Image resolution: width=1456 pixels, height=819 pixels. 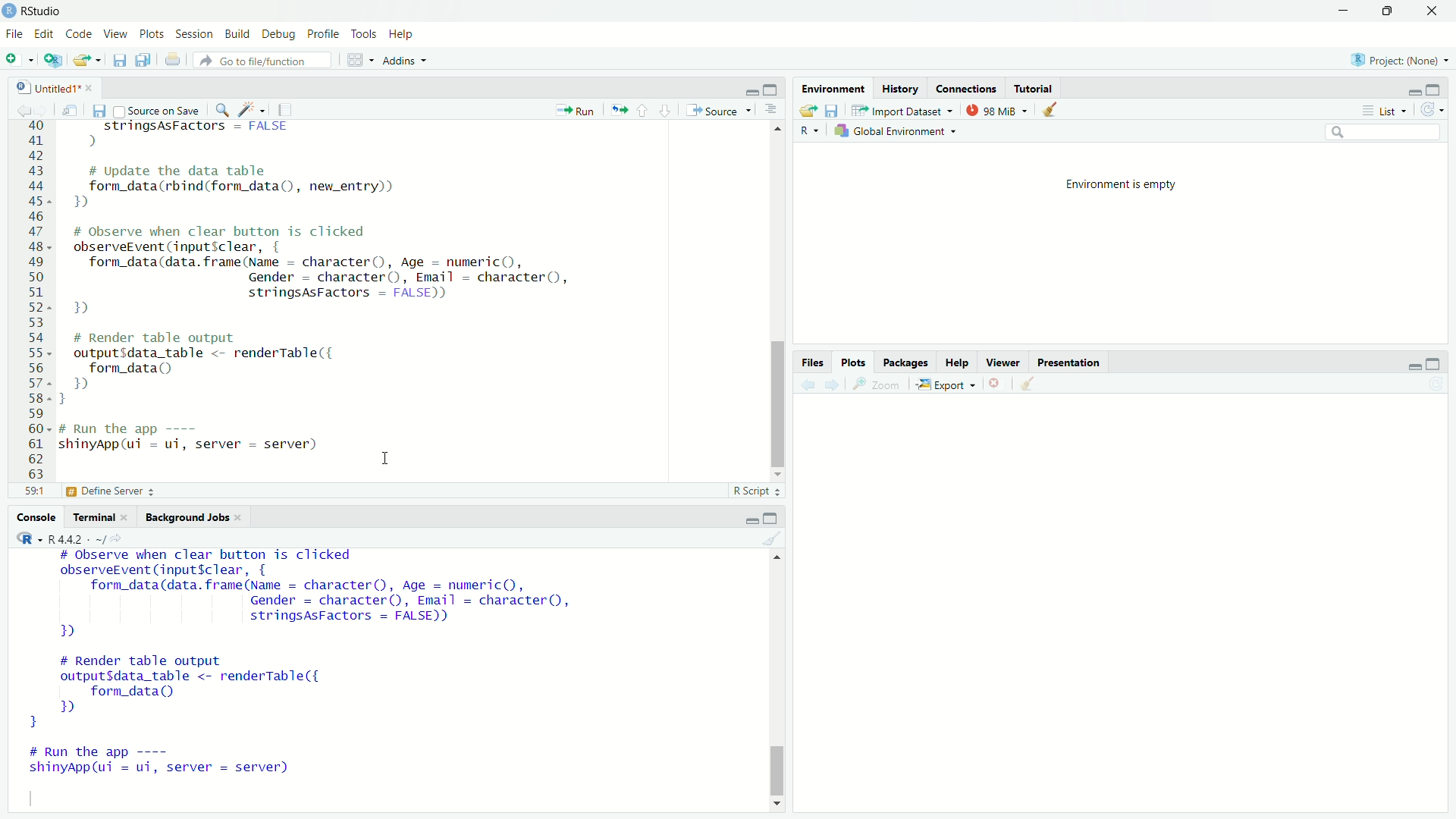 What do you see at coordinates (778, 474) in the screenshot?
I see `move down` at bounding box center [778, 474].